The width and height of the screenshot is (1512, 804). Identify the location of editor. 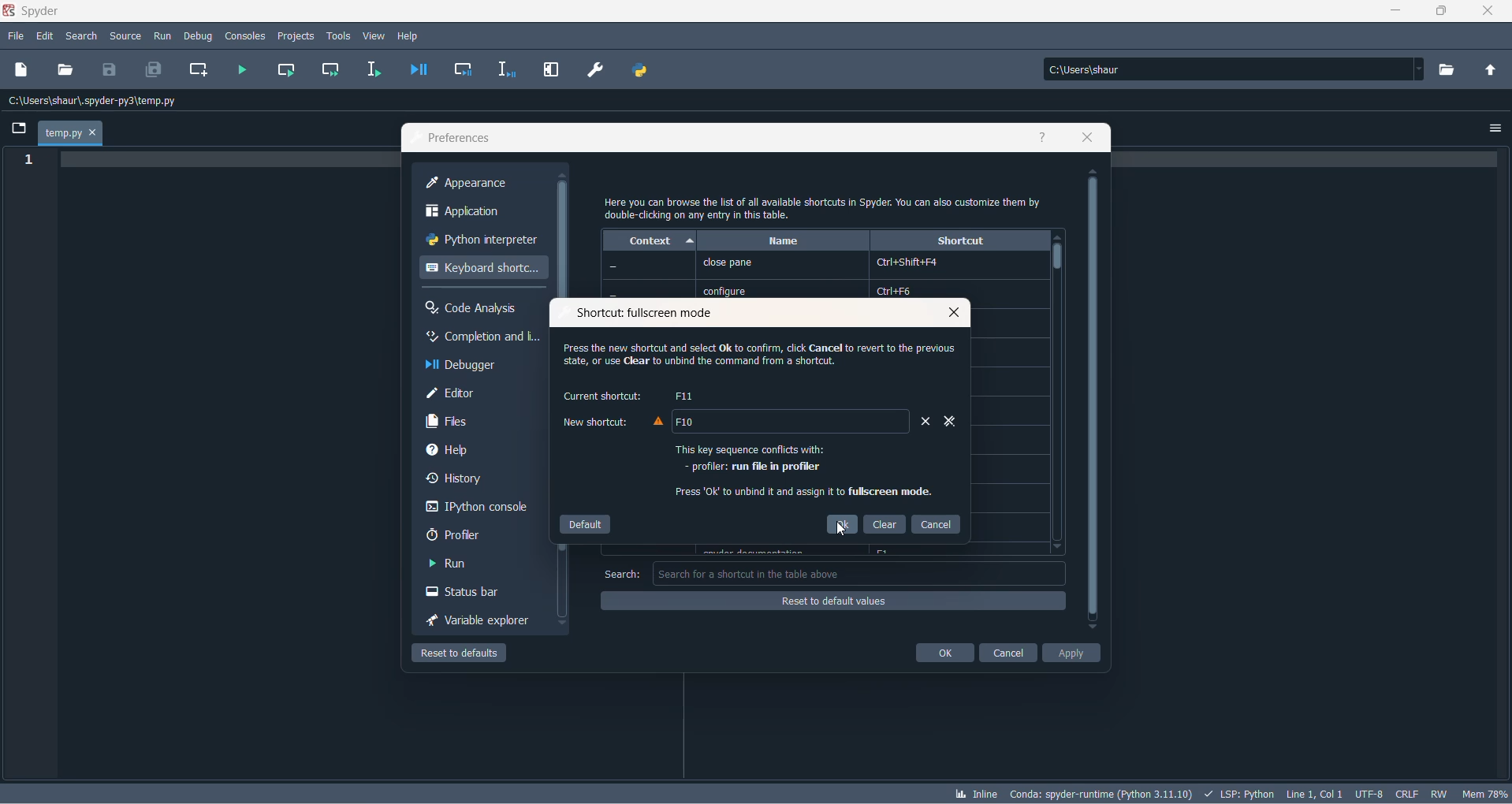
(484, 394).